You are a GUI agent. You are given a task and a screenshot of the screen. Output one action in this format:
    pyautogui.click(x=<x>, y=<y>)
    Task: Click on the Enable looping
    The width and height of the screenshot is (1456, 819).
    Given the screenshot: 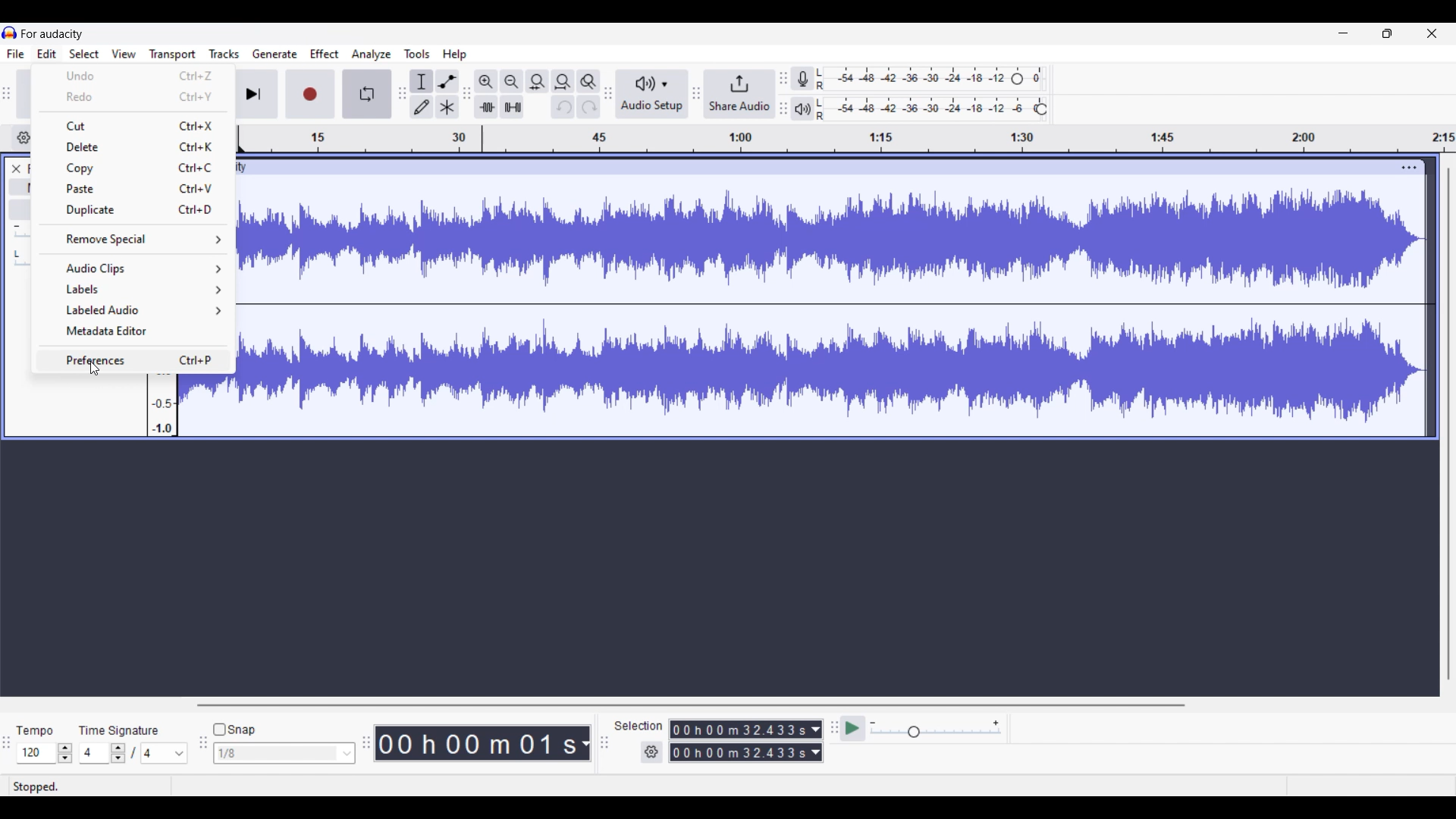 What is the action you would take?
    pyautogui.click(x=367, y=93)
    